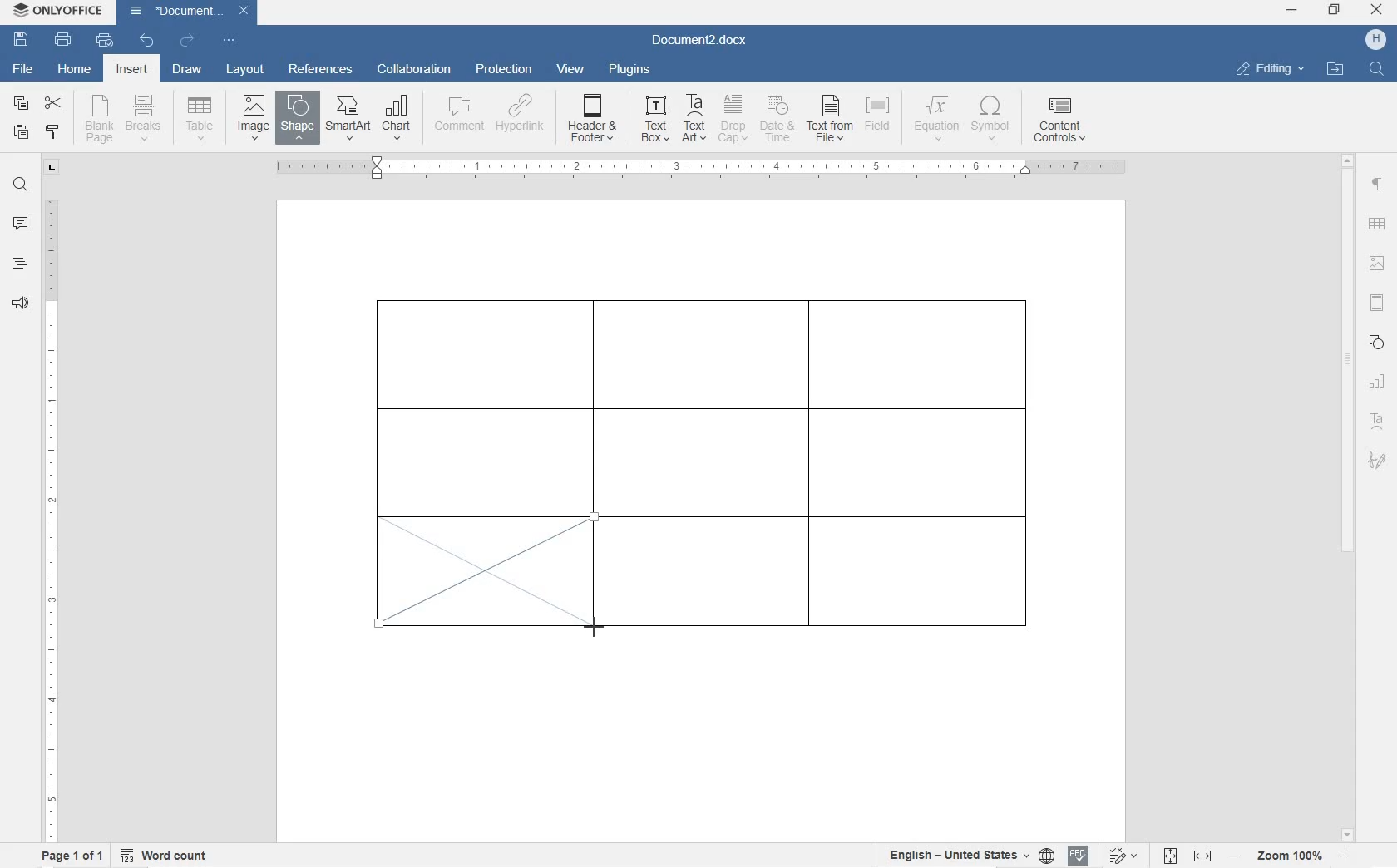 The image size is (1397, 868). Describe the element at coordinates (458, 119) in the screenshot. I see `COMMENT` at that location.